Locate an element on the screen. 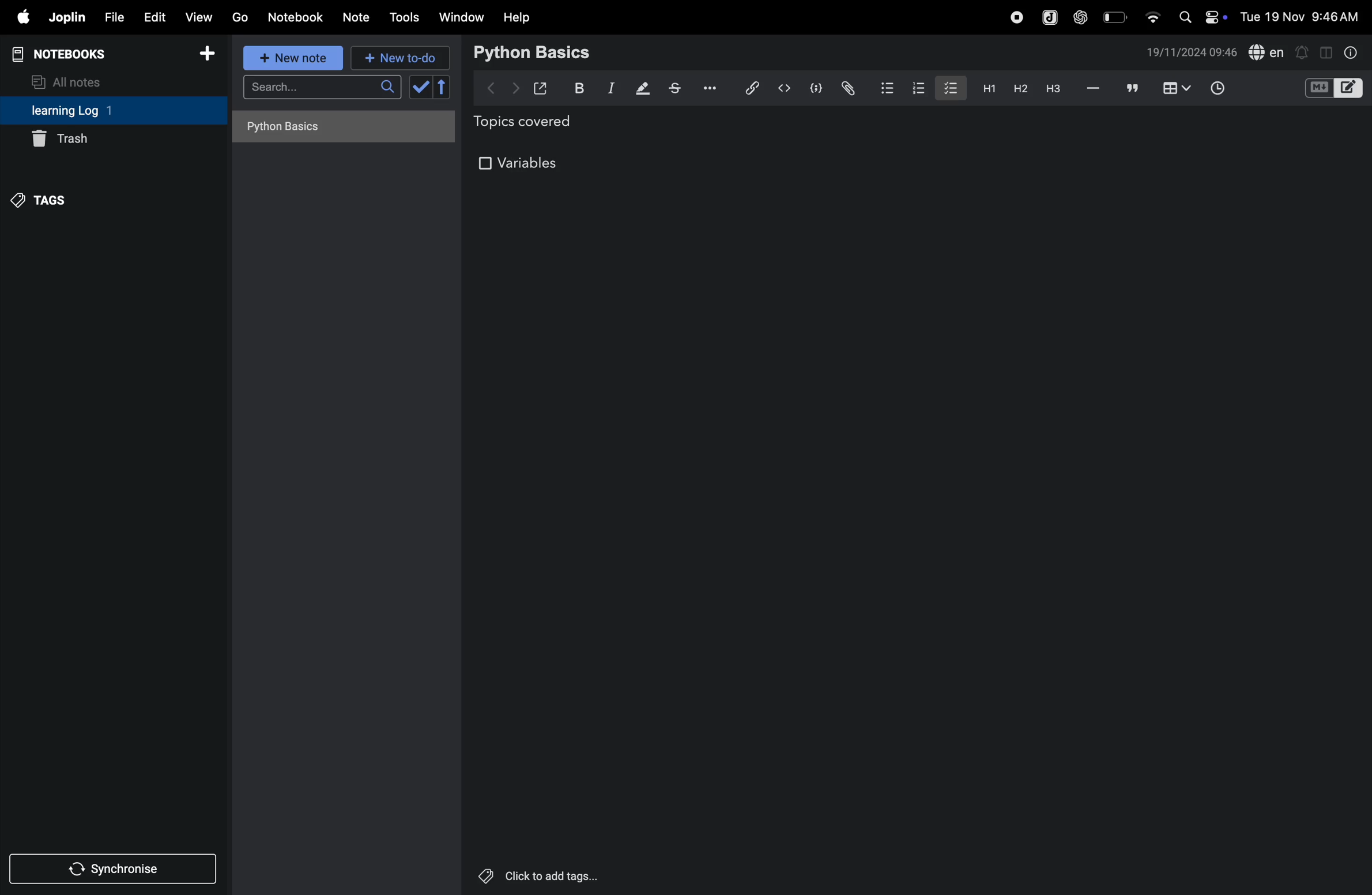 The width and height of the screenshot is (1372, 895). joplin is located at coordinates (1048, 17).